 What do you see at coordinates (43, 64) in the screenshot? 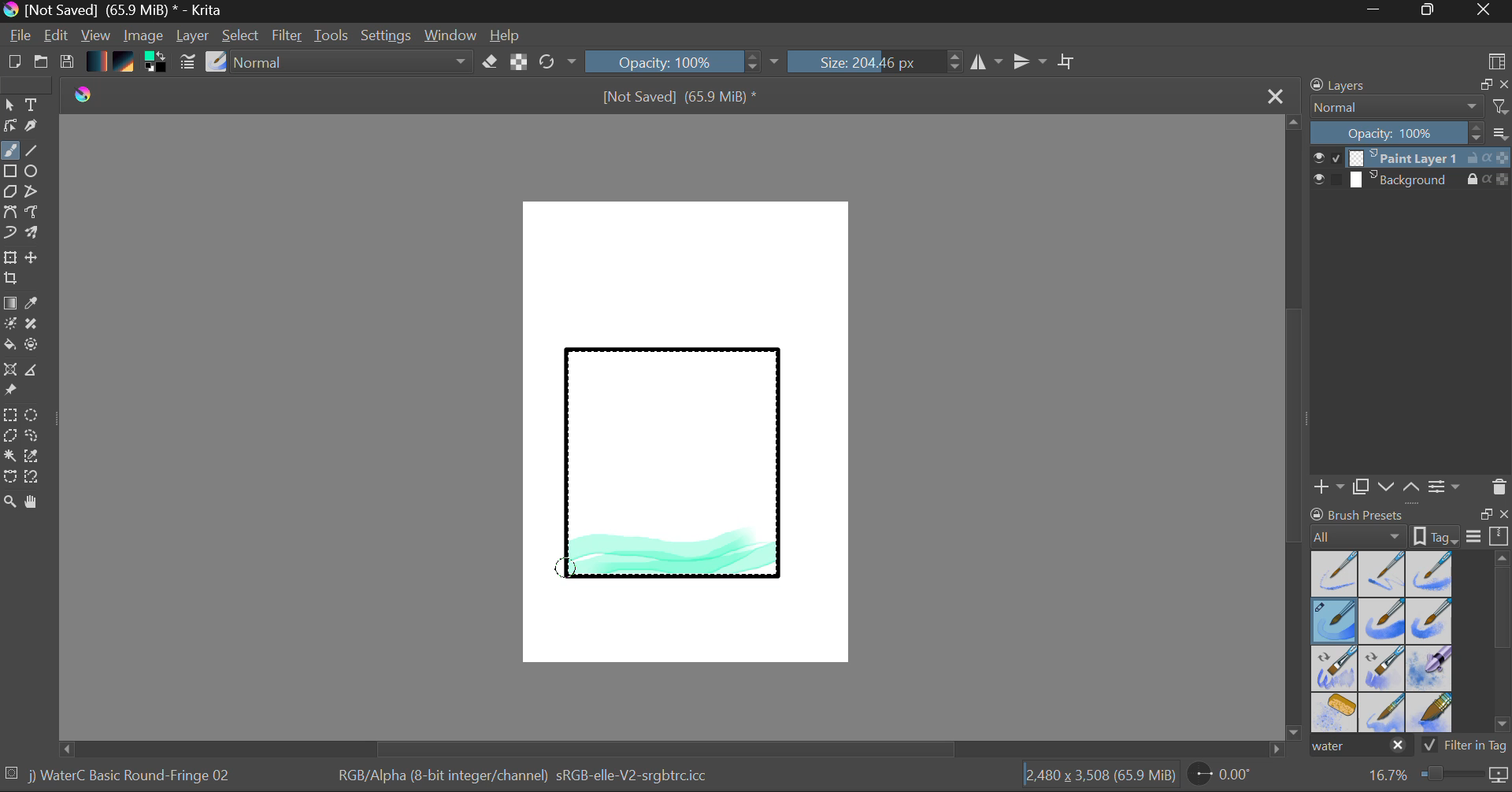
I see `Open` at bounding box center [43, 64].